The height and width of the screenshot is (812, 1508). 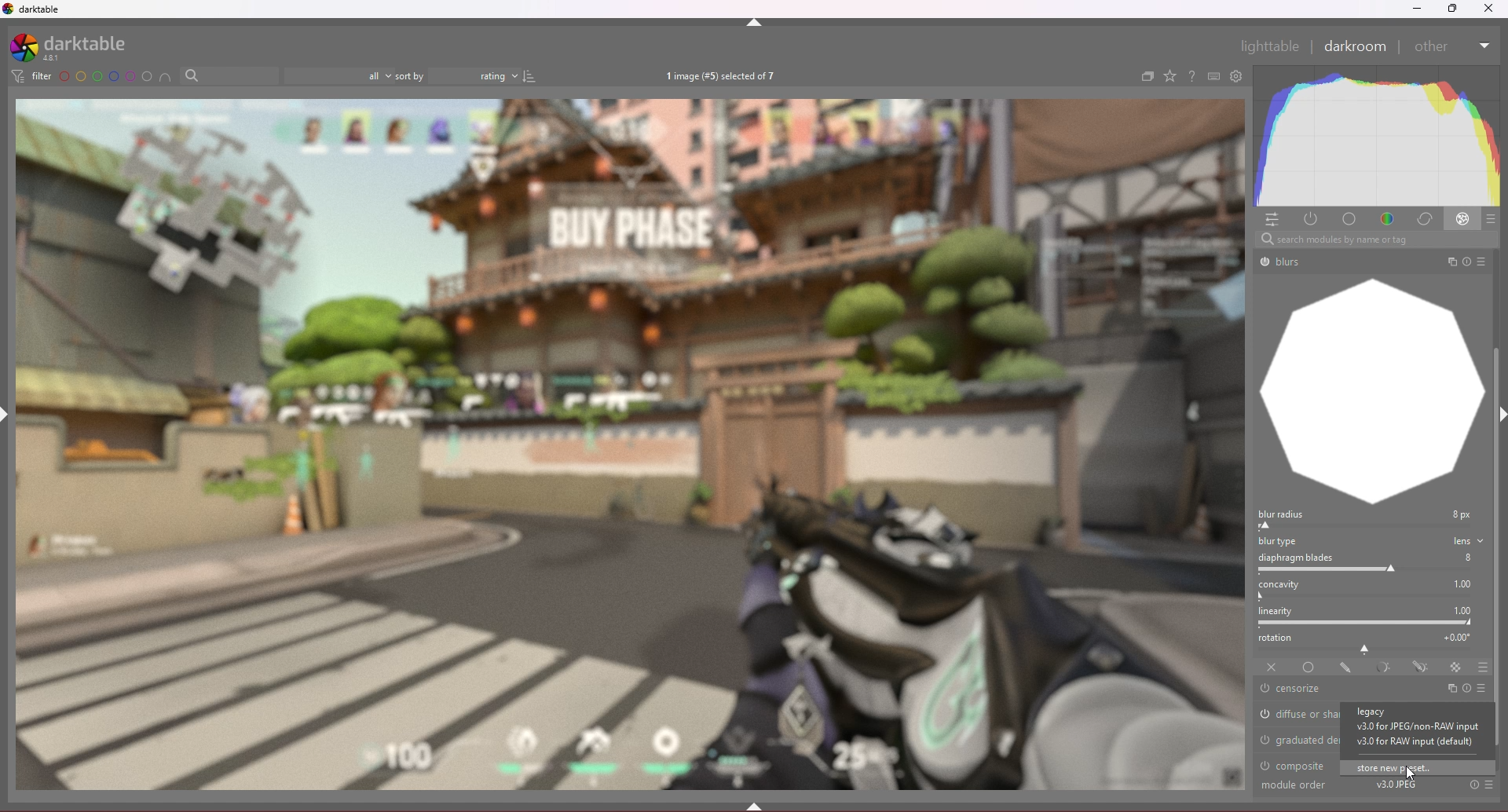 I want to click on photo, so click(x=630, y=444).